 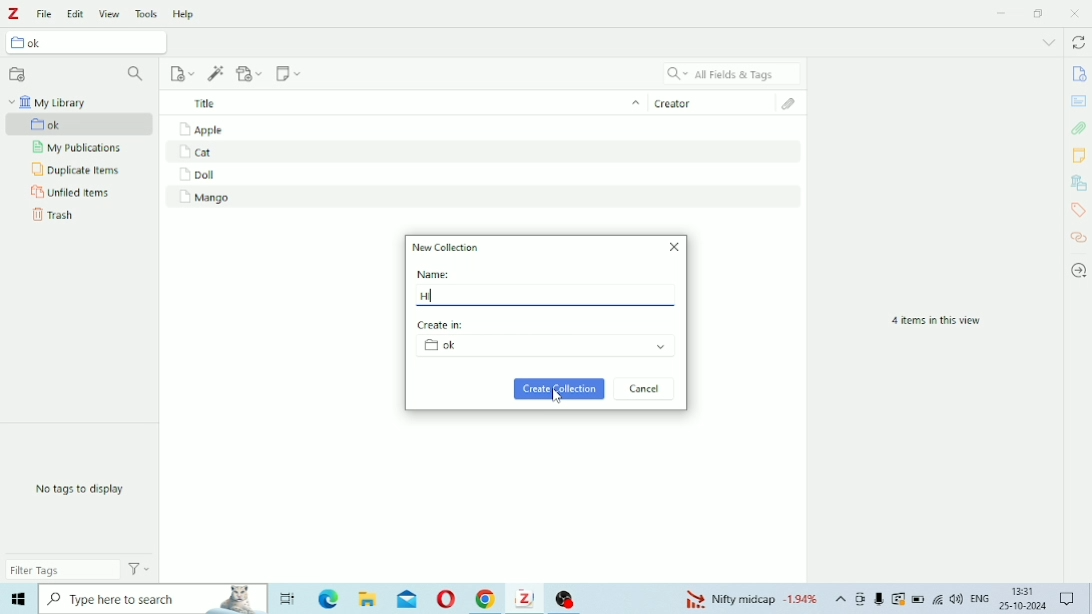 I want to click on New Item, so click(x=183, y=74).